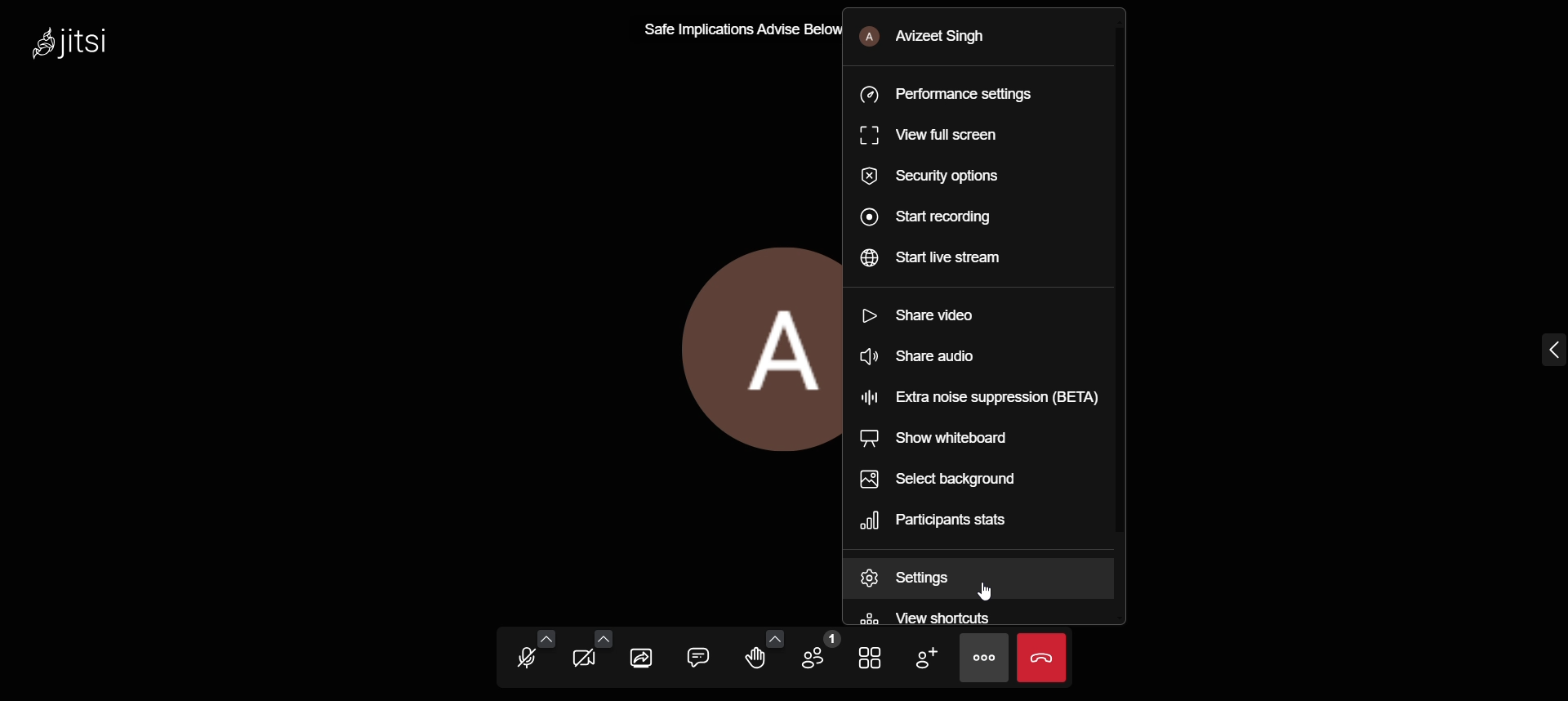 Image resolution: width=1568 pixels, height=701 pixels. What do you see at coordinates (973, 615) in the screenshot?
I see `View Shortcuts` at bounding box center [973, 615].